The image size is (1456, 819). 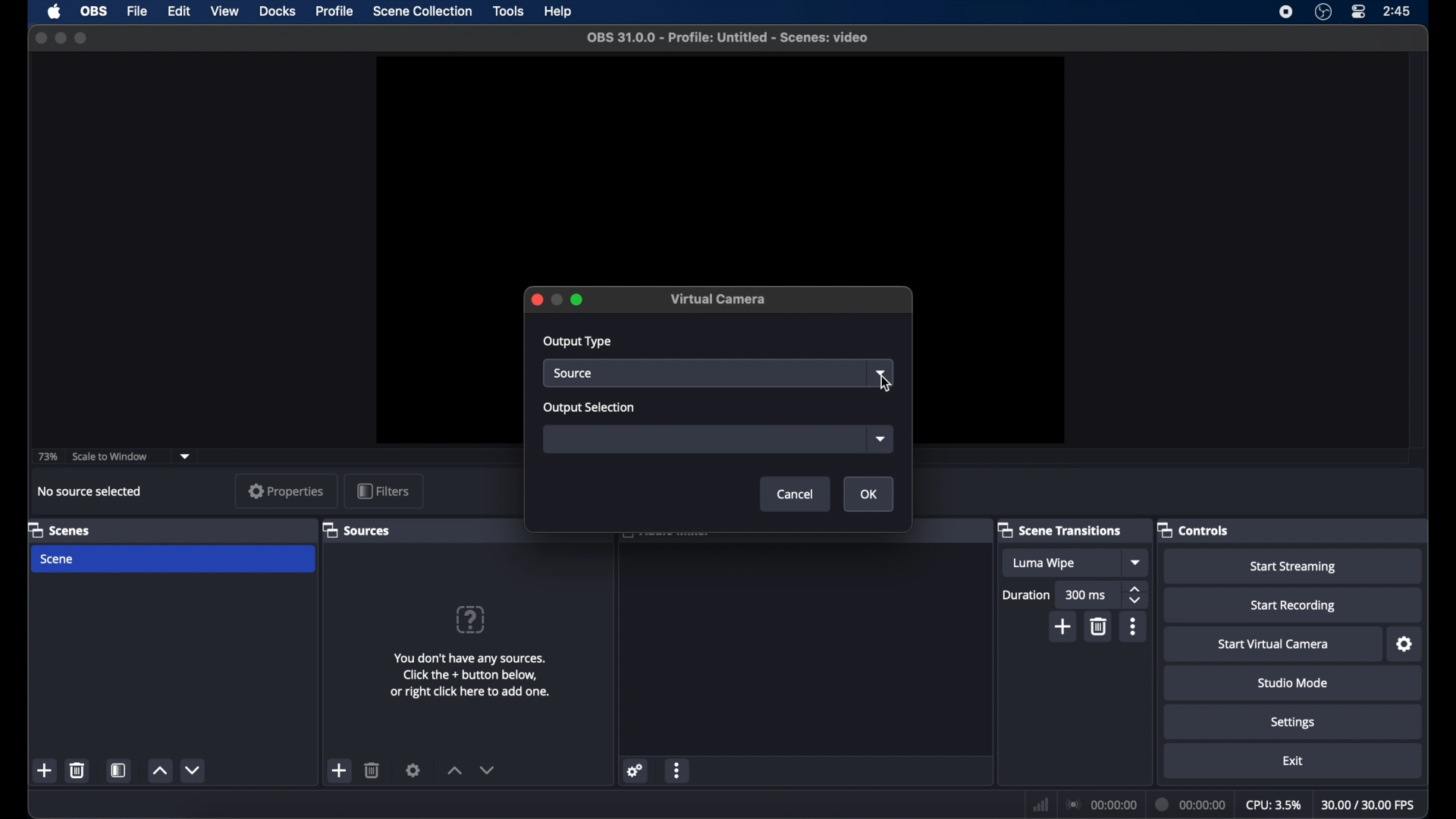 I want to click on settings, so click(x=635, y=771).